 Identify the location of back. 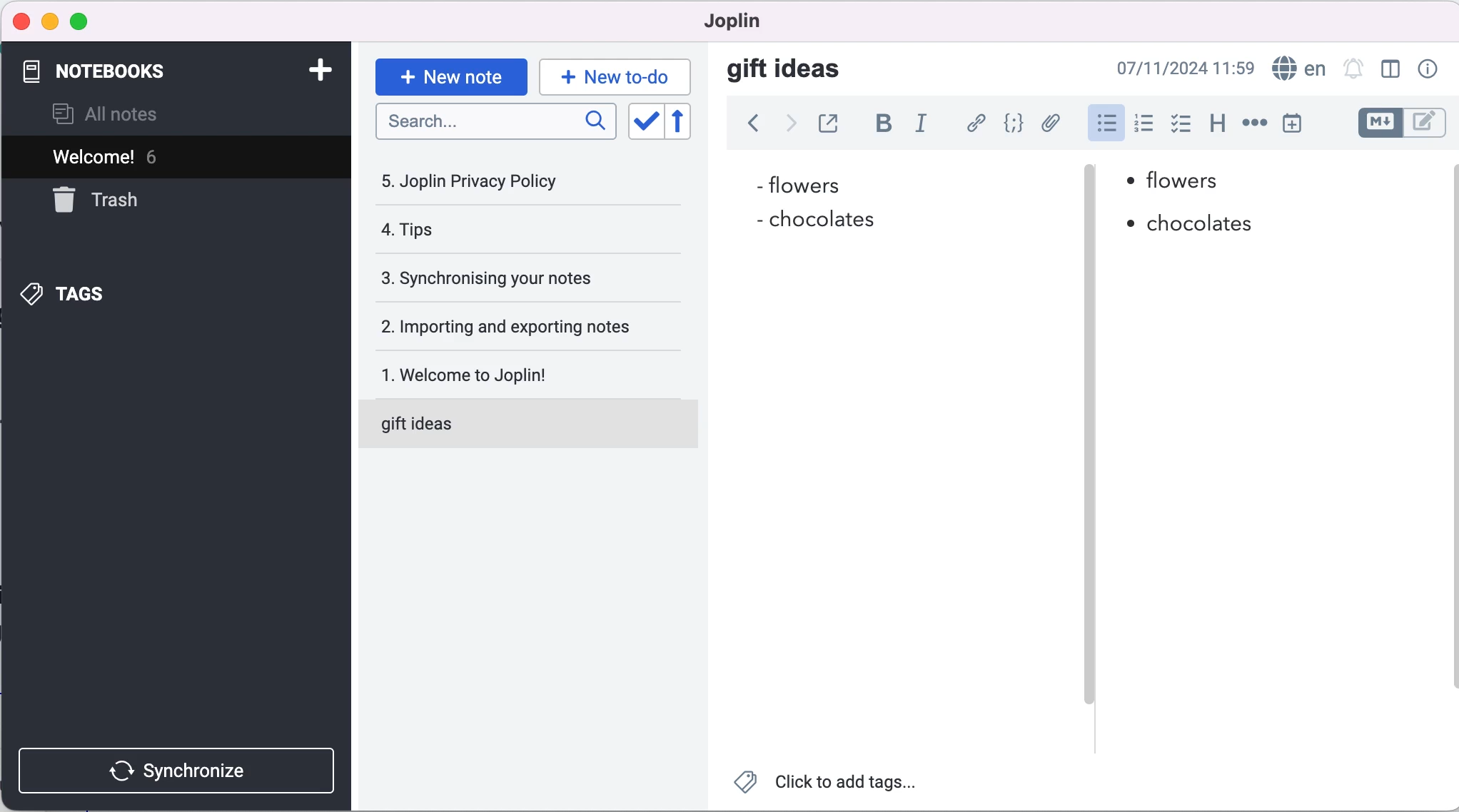
(749, 126).